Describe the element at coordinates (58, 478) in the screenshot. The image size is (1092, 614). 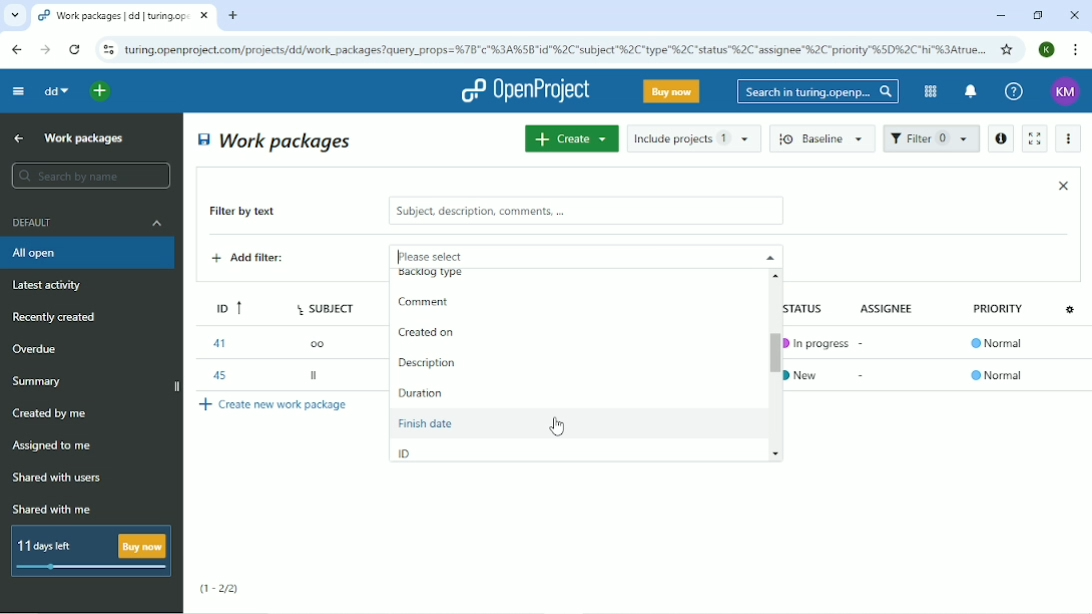
I see `Shared with users` at that location.